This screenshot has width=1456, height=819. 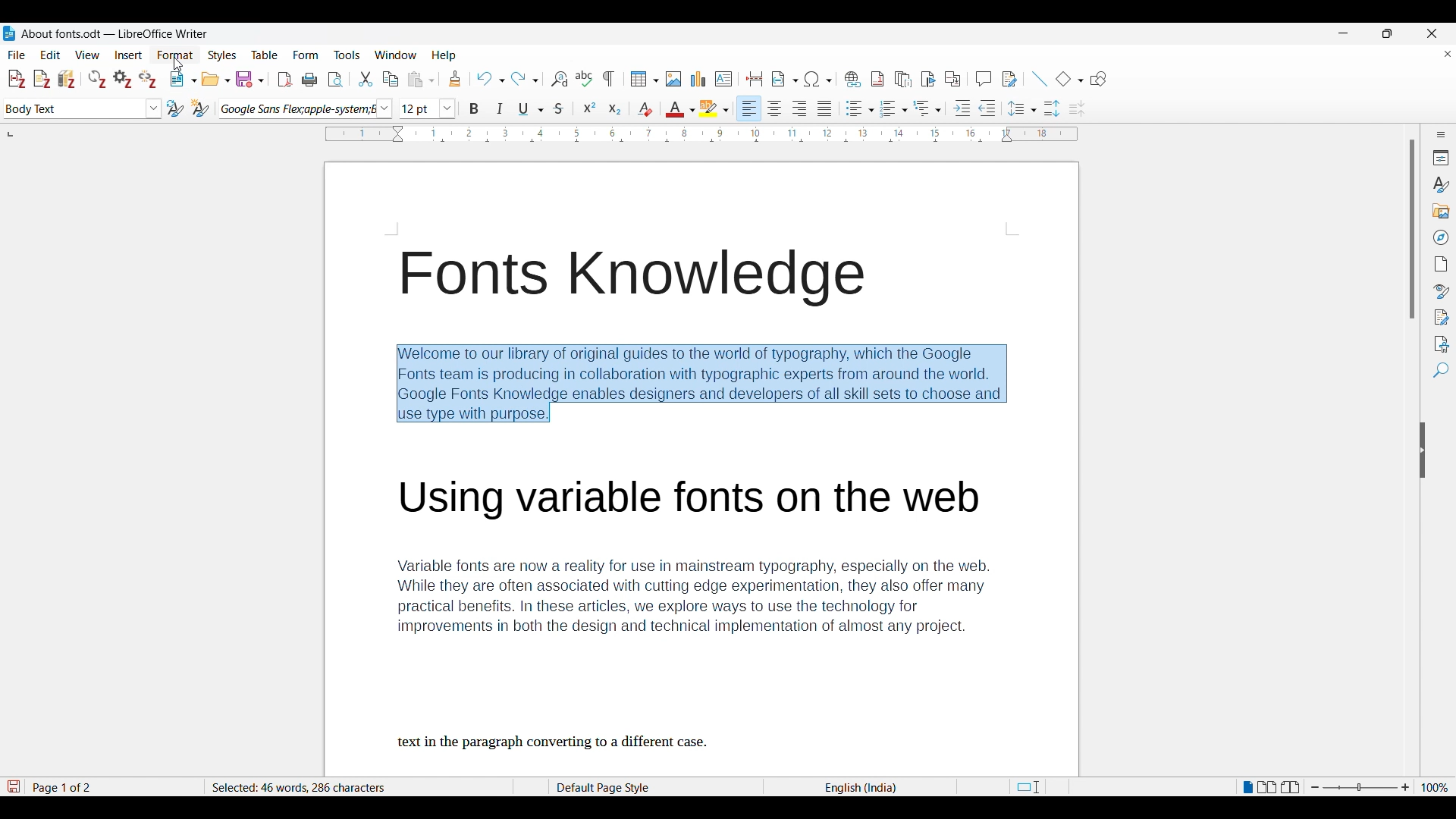 What do you see at coordinates (1290, 786) in the screenshot?
I see `Book view` at bounding box center [1290, 786].